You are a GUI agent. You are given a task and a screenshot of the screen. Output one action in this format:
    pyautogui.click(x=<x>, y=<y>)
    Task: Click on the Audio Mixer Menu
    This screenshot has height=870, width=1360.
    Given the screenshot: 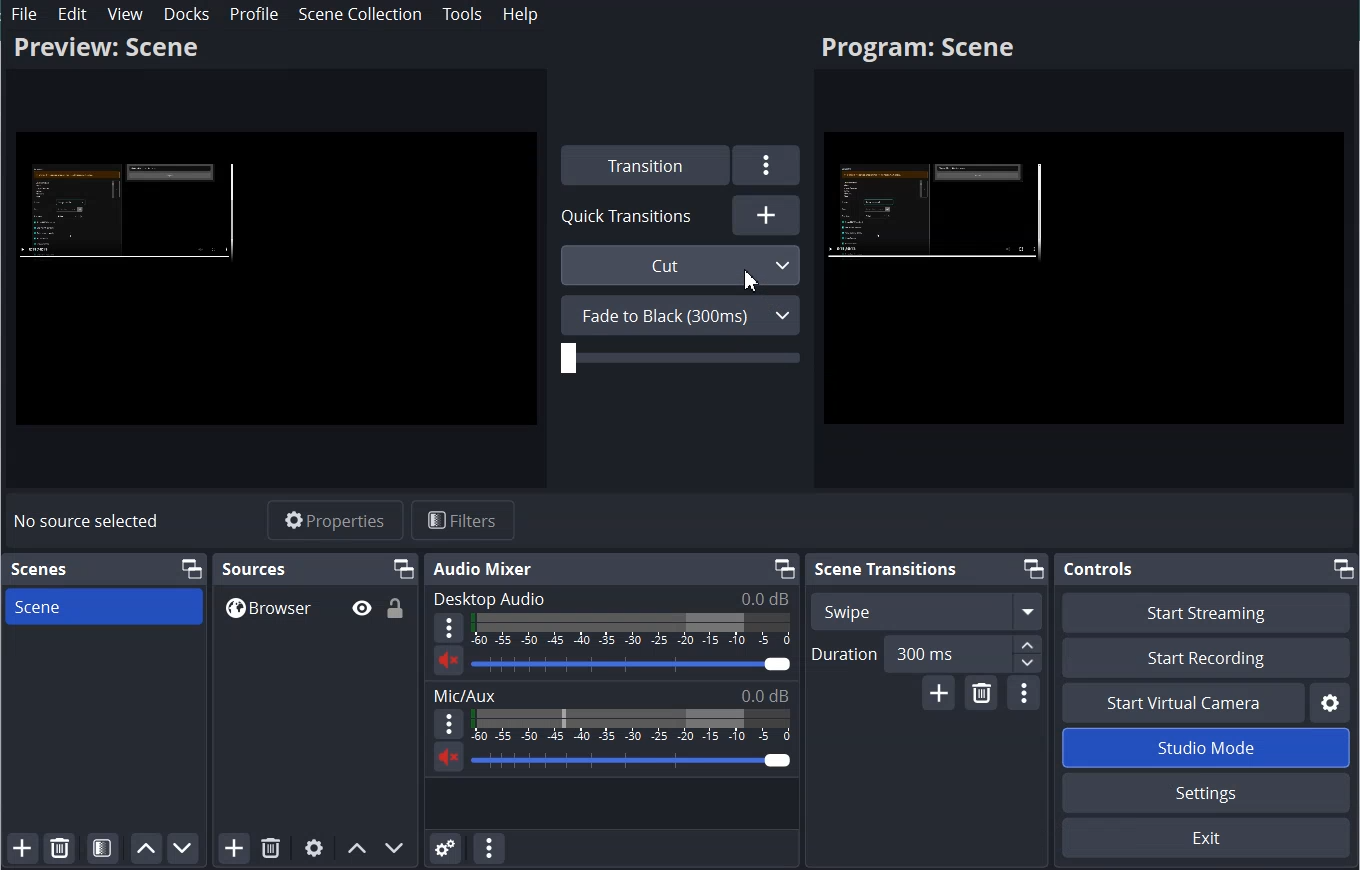 What is the action you would take?
    pyautogui.click(x=488, y=848)
    